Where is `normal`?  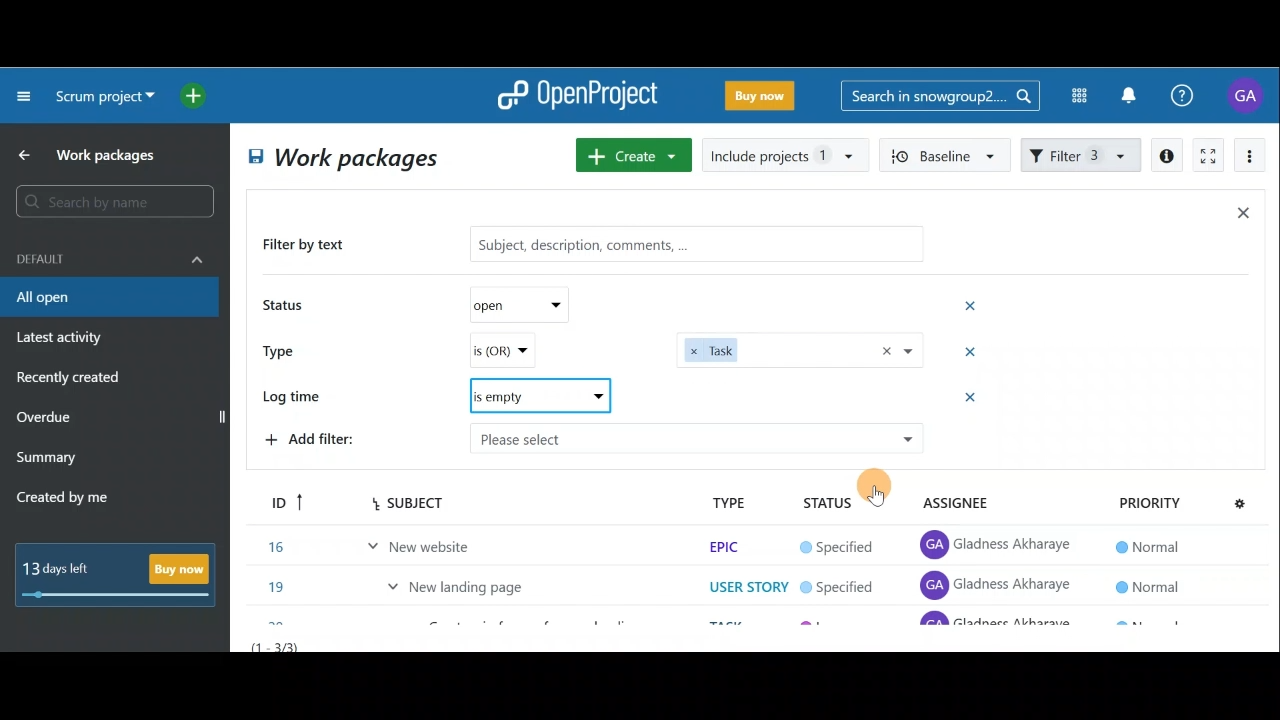 normal is located at coordinates (1150, 580).